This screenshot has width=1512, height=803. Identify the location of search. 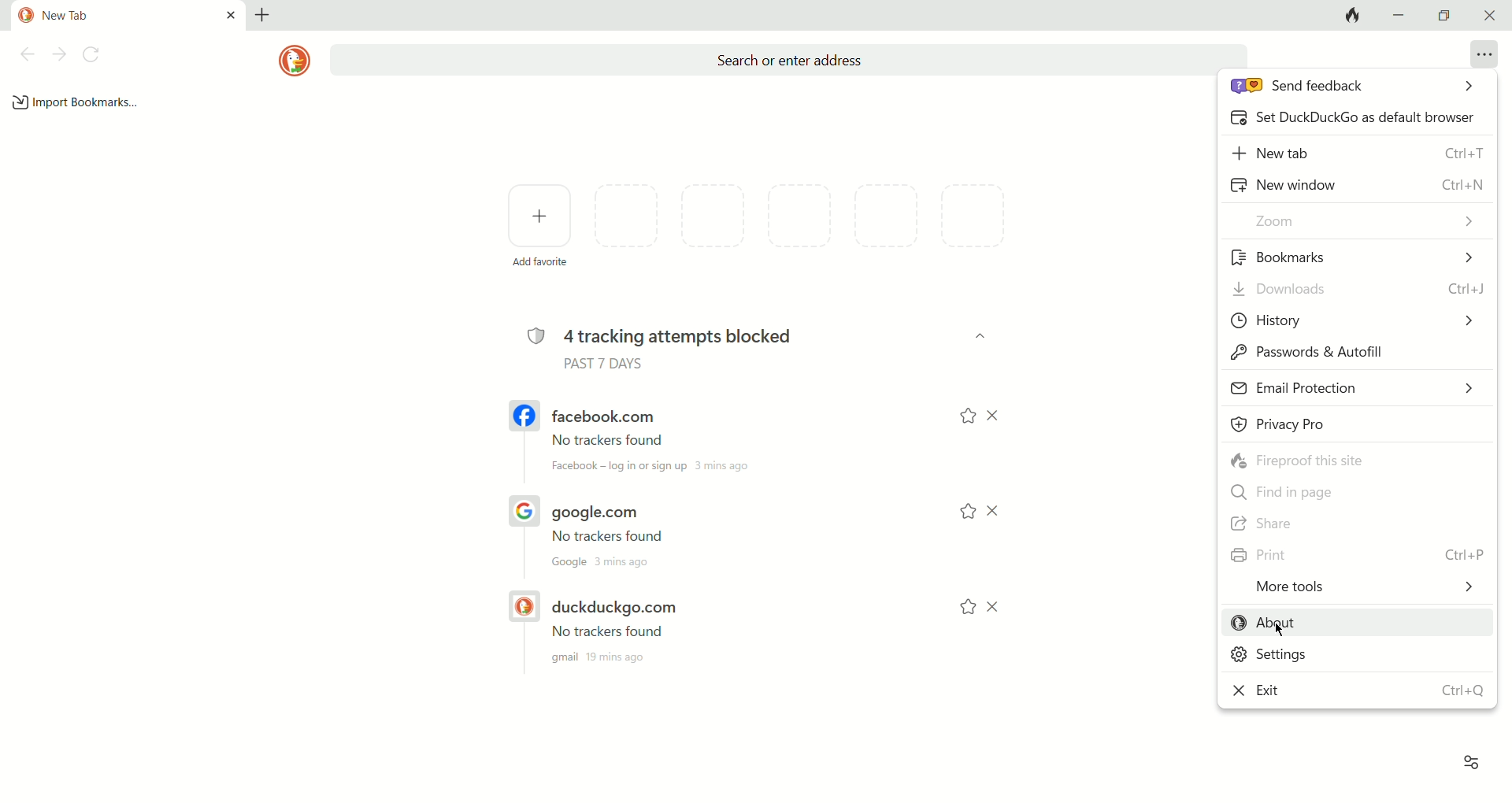
(783, 59).